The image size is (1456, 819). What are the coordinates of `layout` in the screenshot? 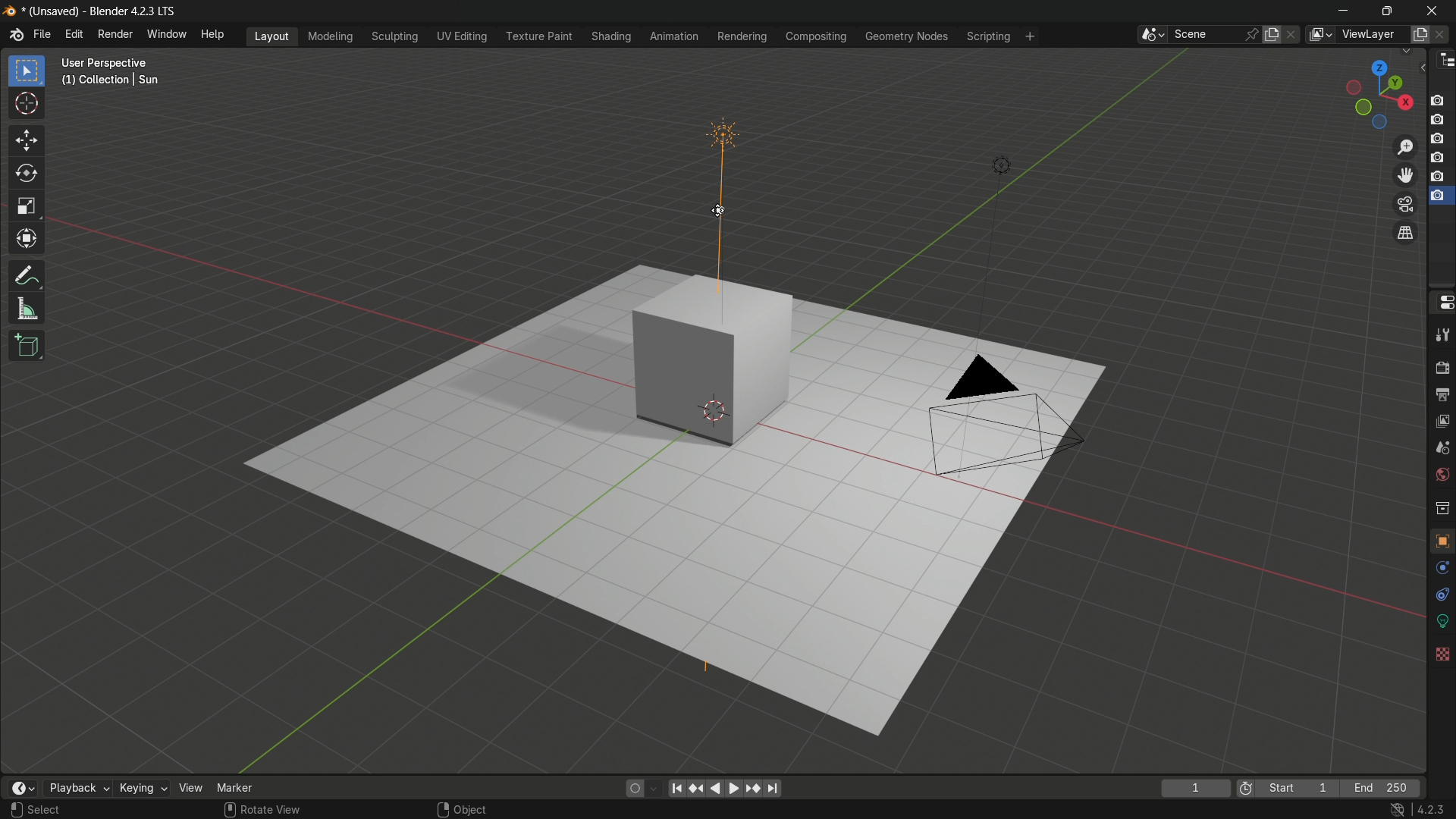 It's located at (274, 36).